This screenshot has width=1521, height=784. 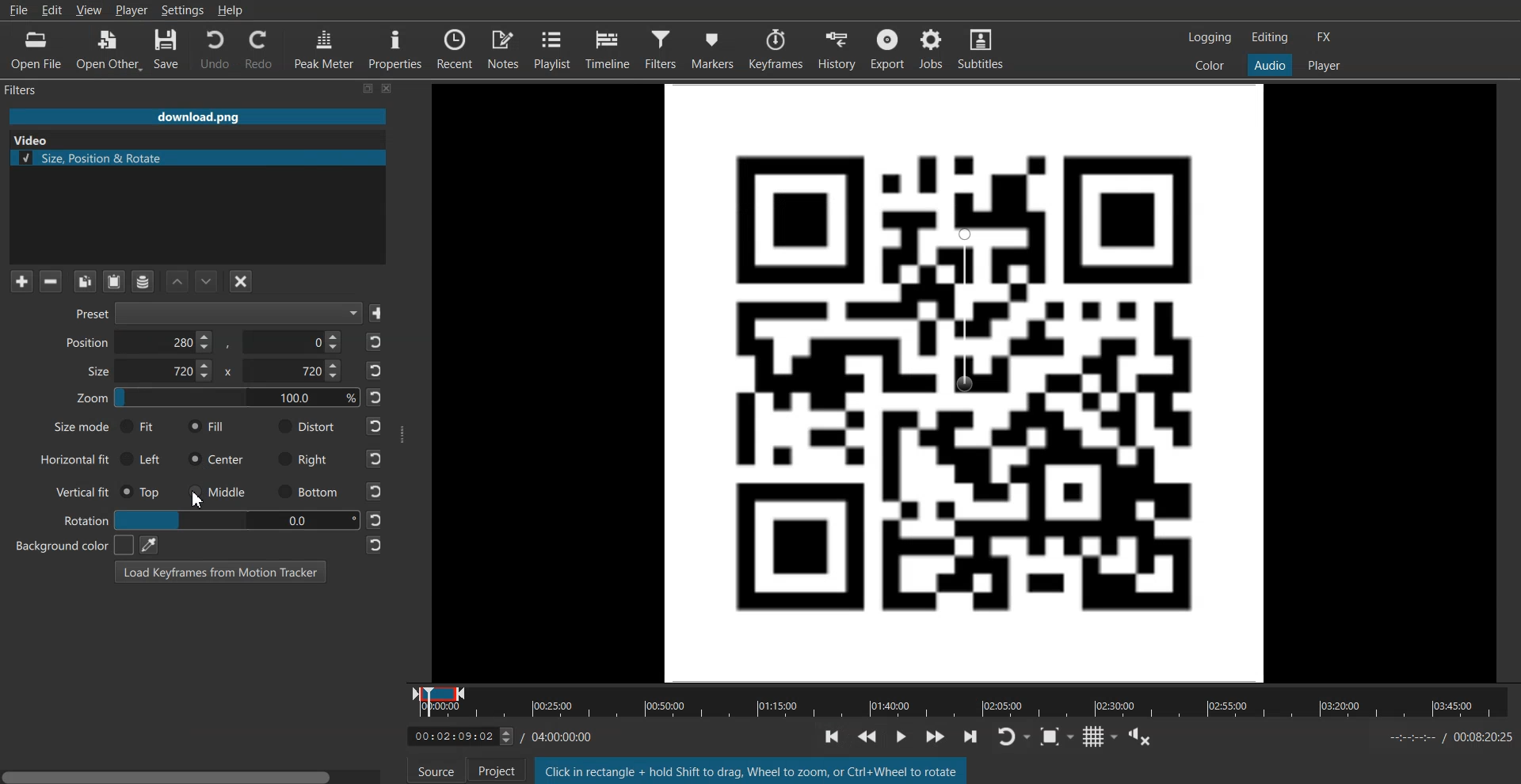 I want to click on Undo, so click(x=213, y=50).